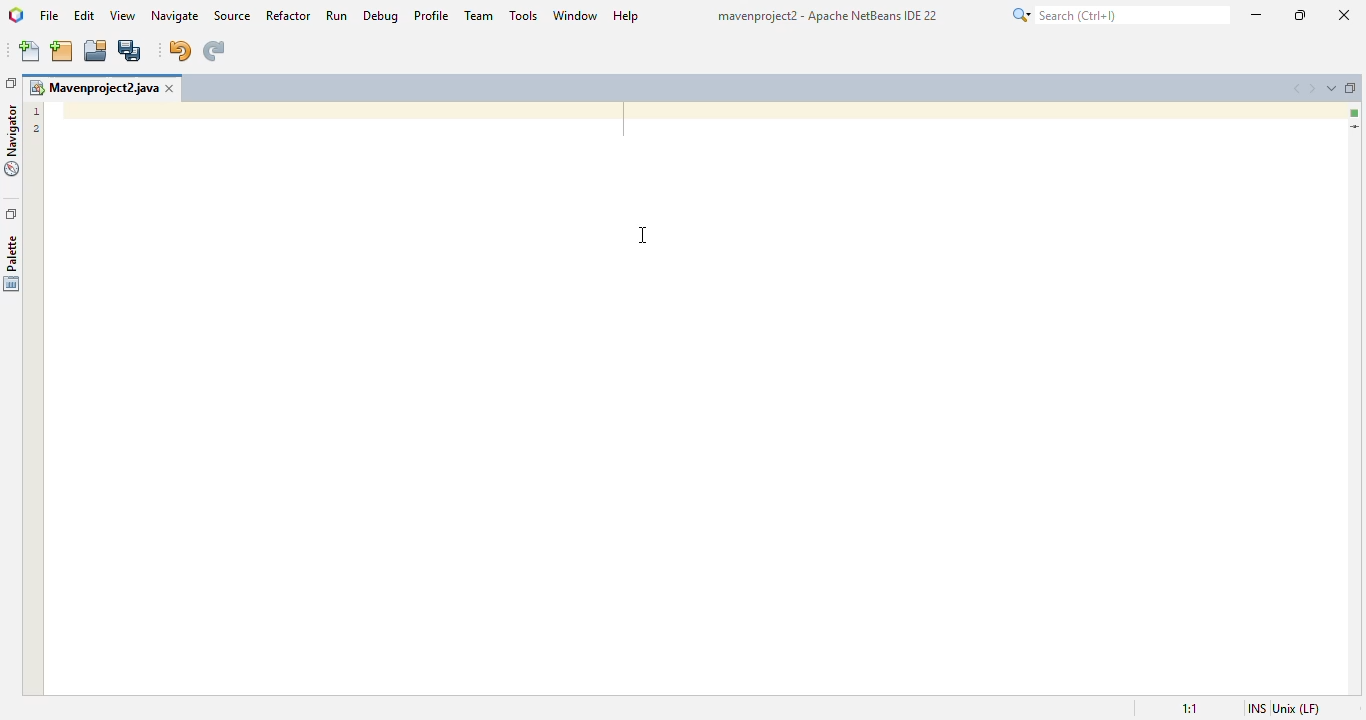 This screenshot has height=720, width=1366. Describe the element at coordinates (576, 15) in the screenshot. I see `window` at that location.